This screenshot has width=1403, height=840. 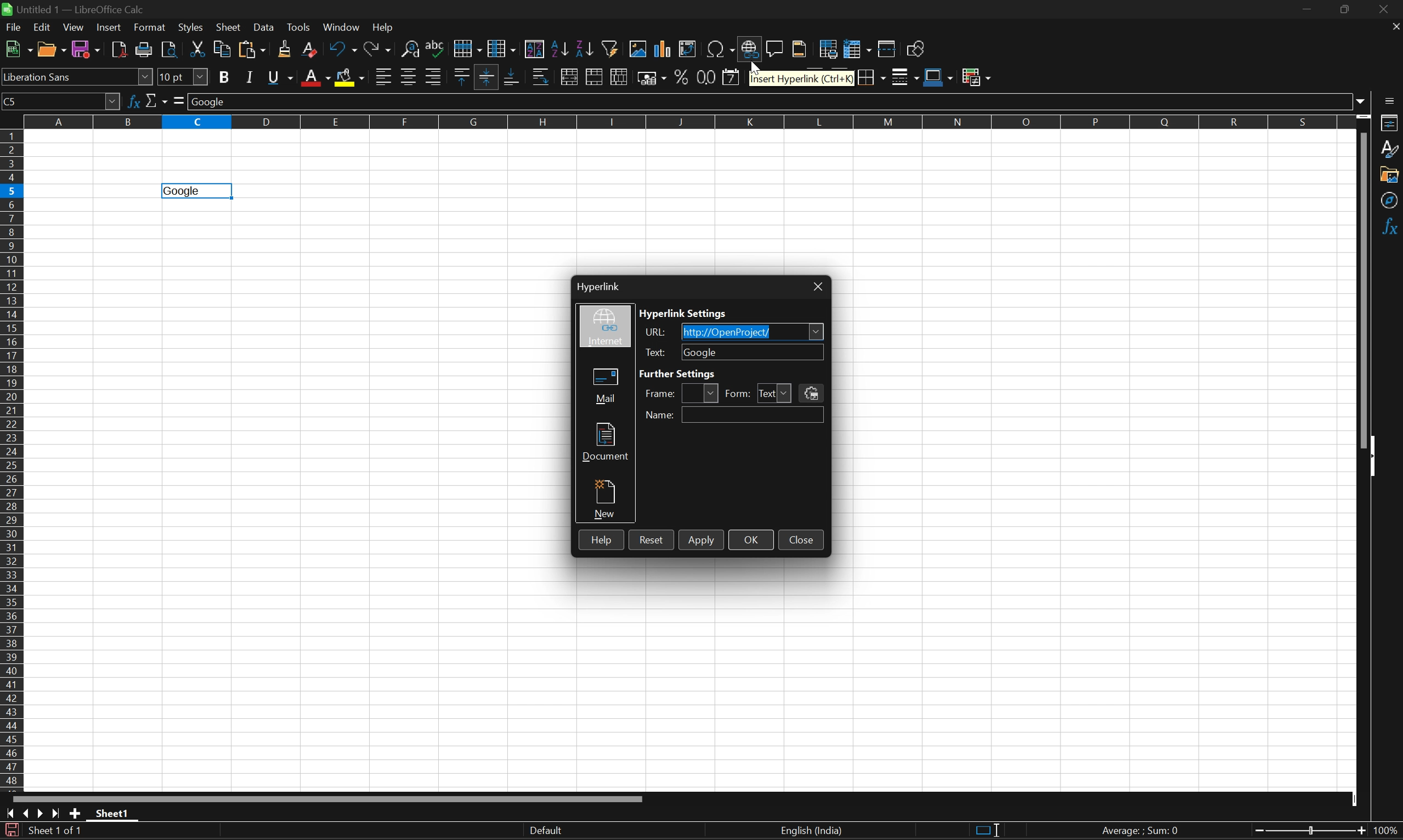 I want to click on Merge and center or unmerge cells depending on the current toggle state, so click(x=572, y=76).